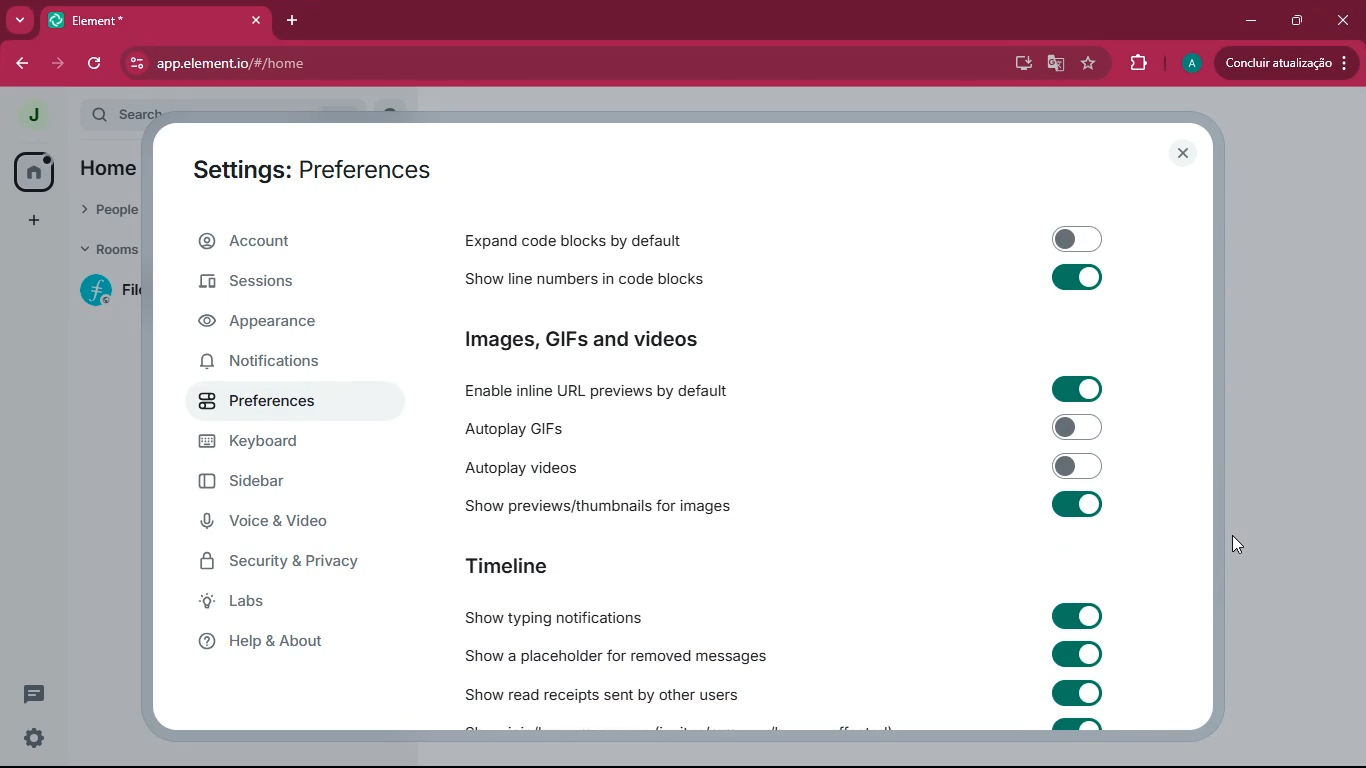 This screenshot has width=1366, height=768. I want to click on show a placeholder for removed messages, so click(616, 653).